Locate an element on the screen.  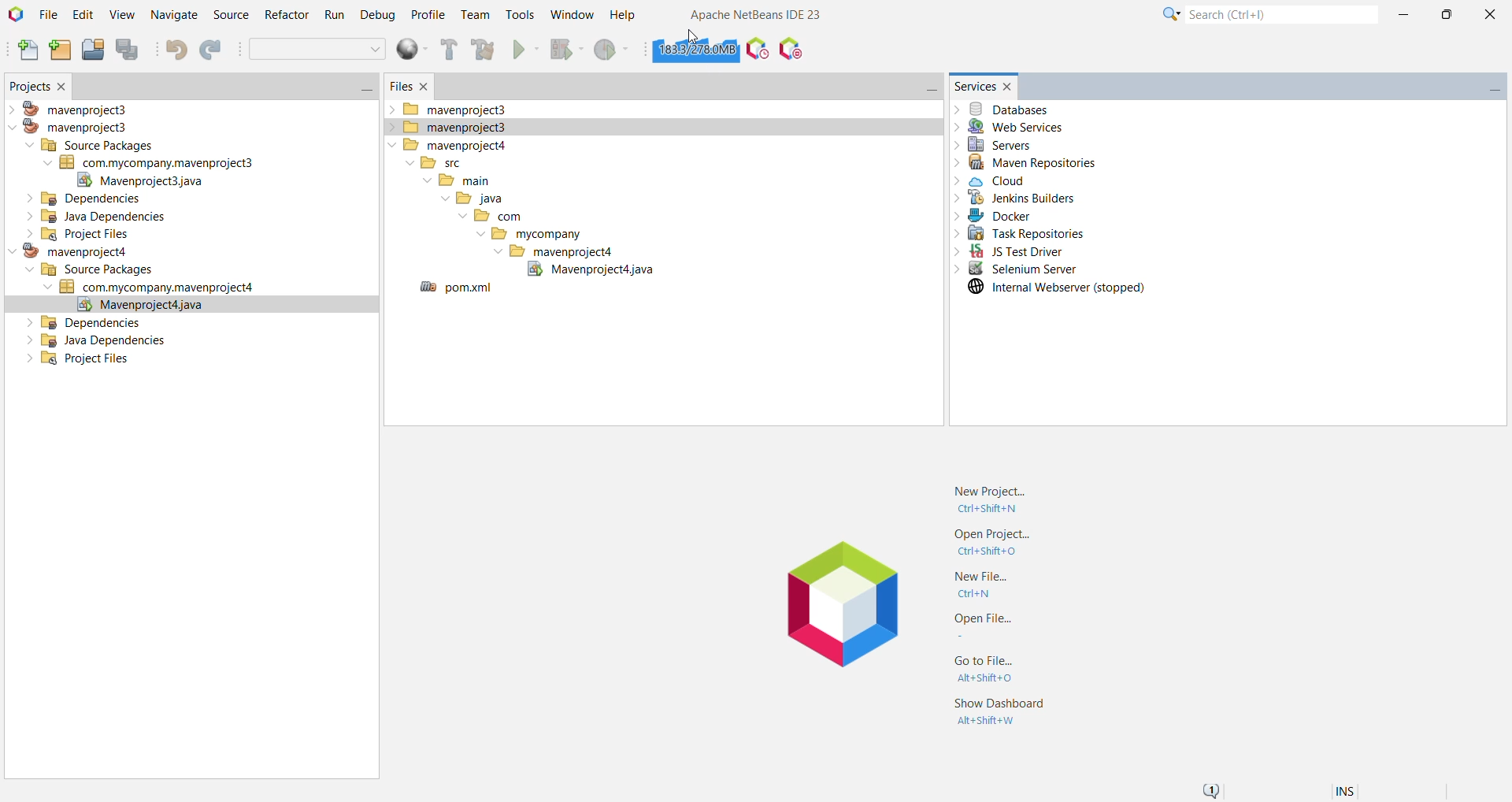
Click for Category Selection is located at coordinates (1167, 17).